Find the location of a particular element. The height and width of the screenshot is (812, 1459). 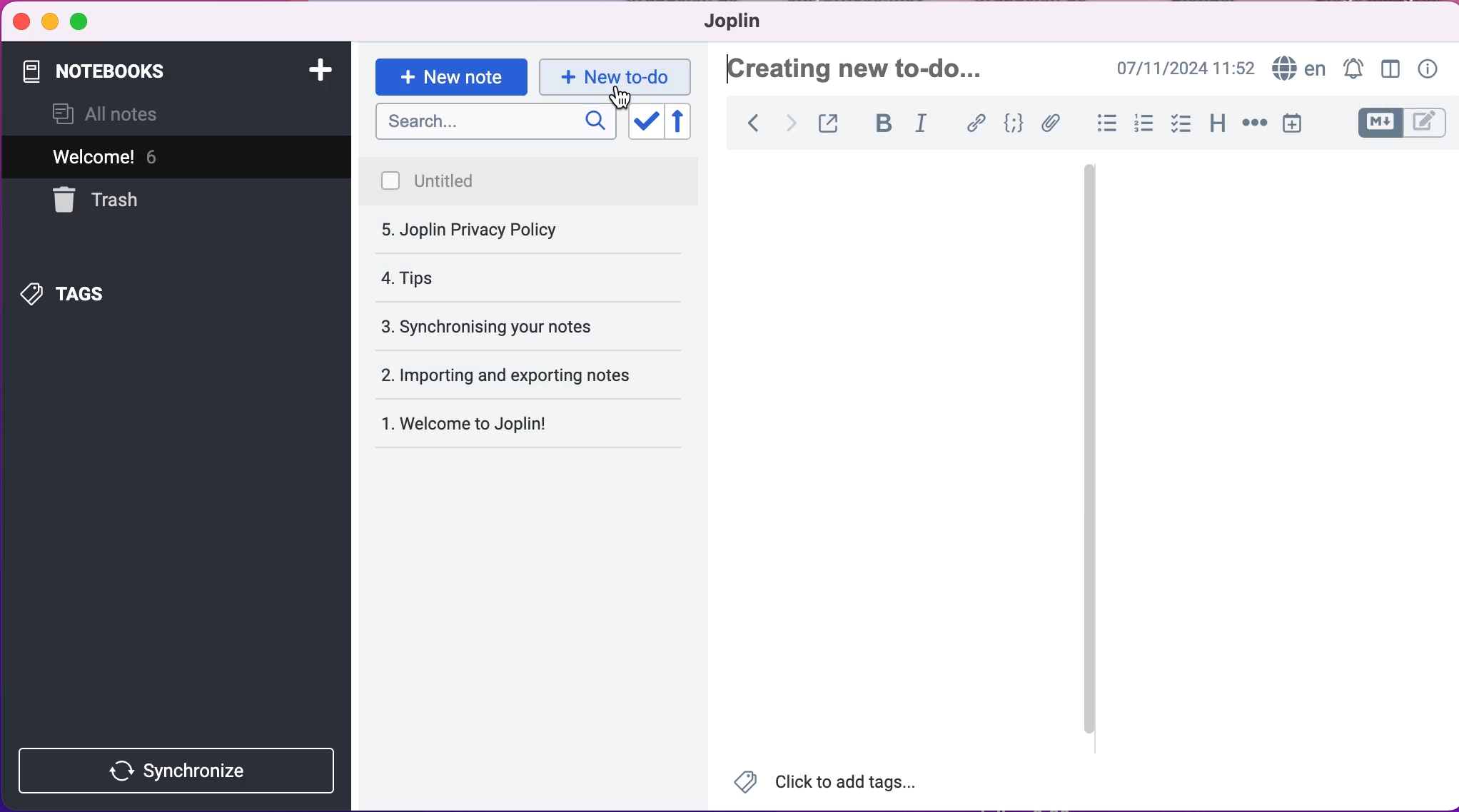

tips is located at coordinates (527, 231).